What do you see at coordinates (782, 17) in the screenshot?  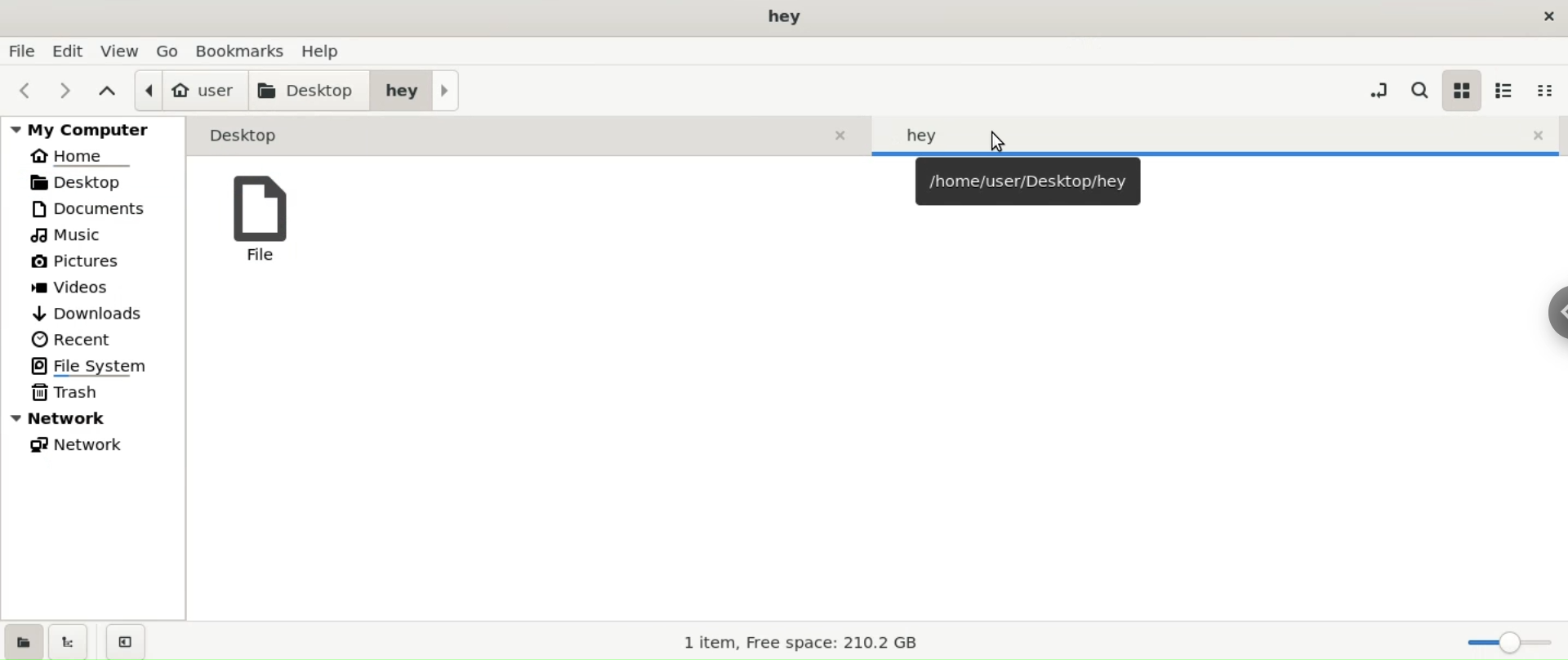 I see `title` at bounding box center [782, 17].